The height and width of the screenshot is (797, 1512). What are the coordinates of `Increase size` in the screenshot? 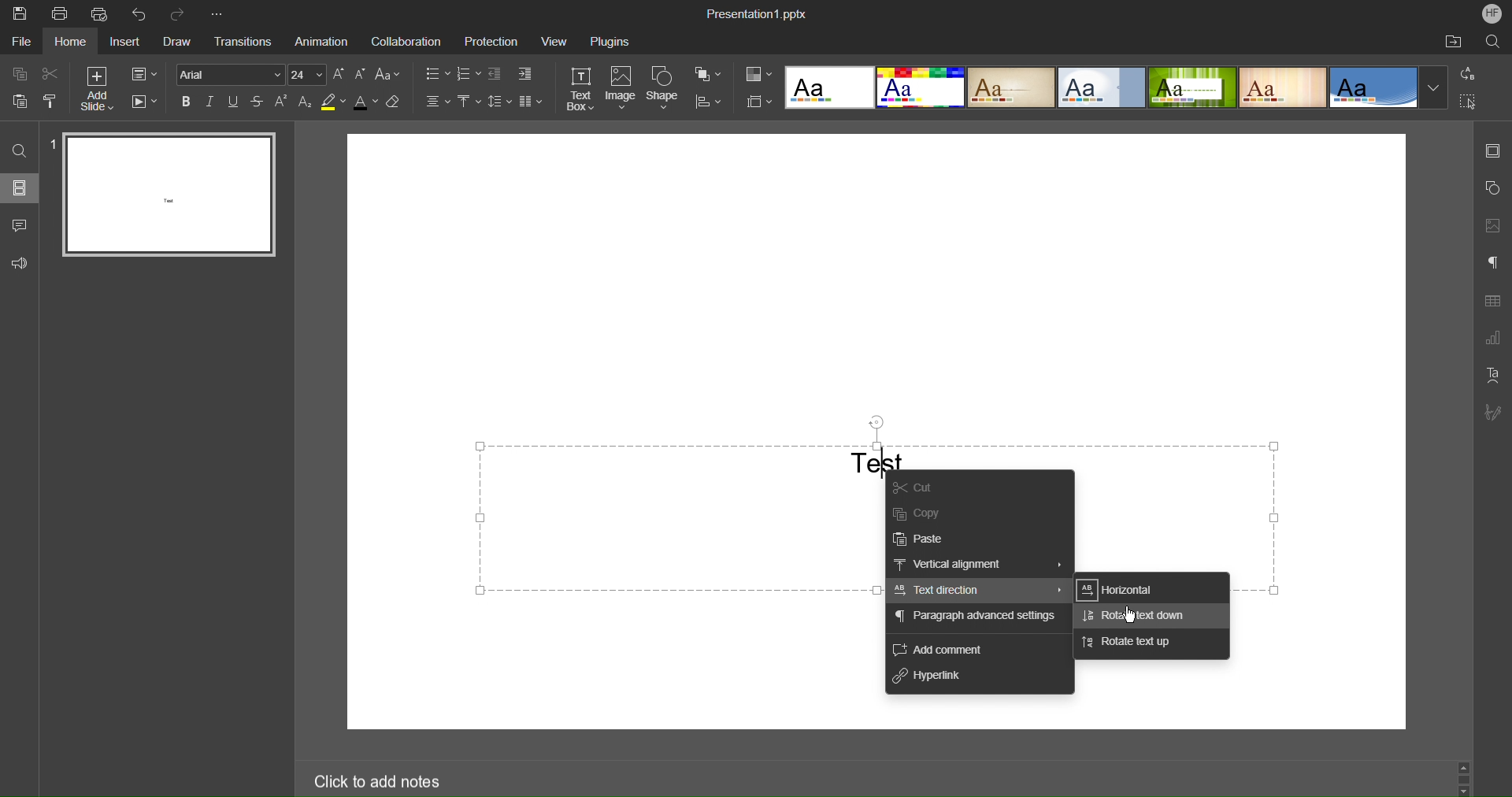 It's located at (340, 73).